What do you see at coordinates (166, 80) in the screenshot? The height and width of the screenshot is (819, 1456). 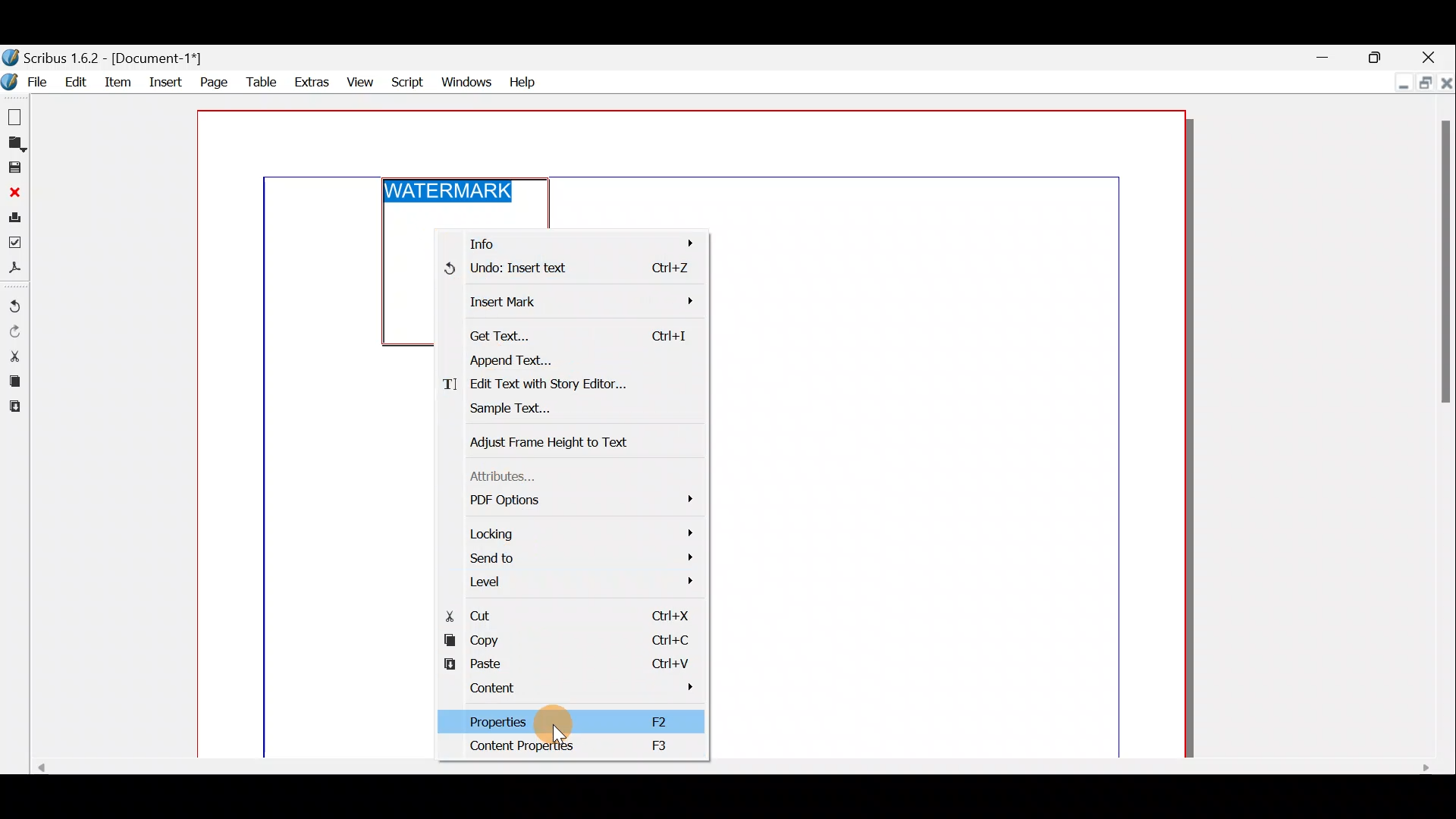 I see `Insert` at bounding box center [166, 80].